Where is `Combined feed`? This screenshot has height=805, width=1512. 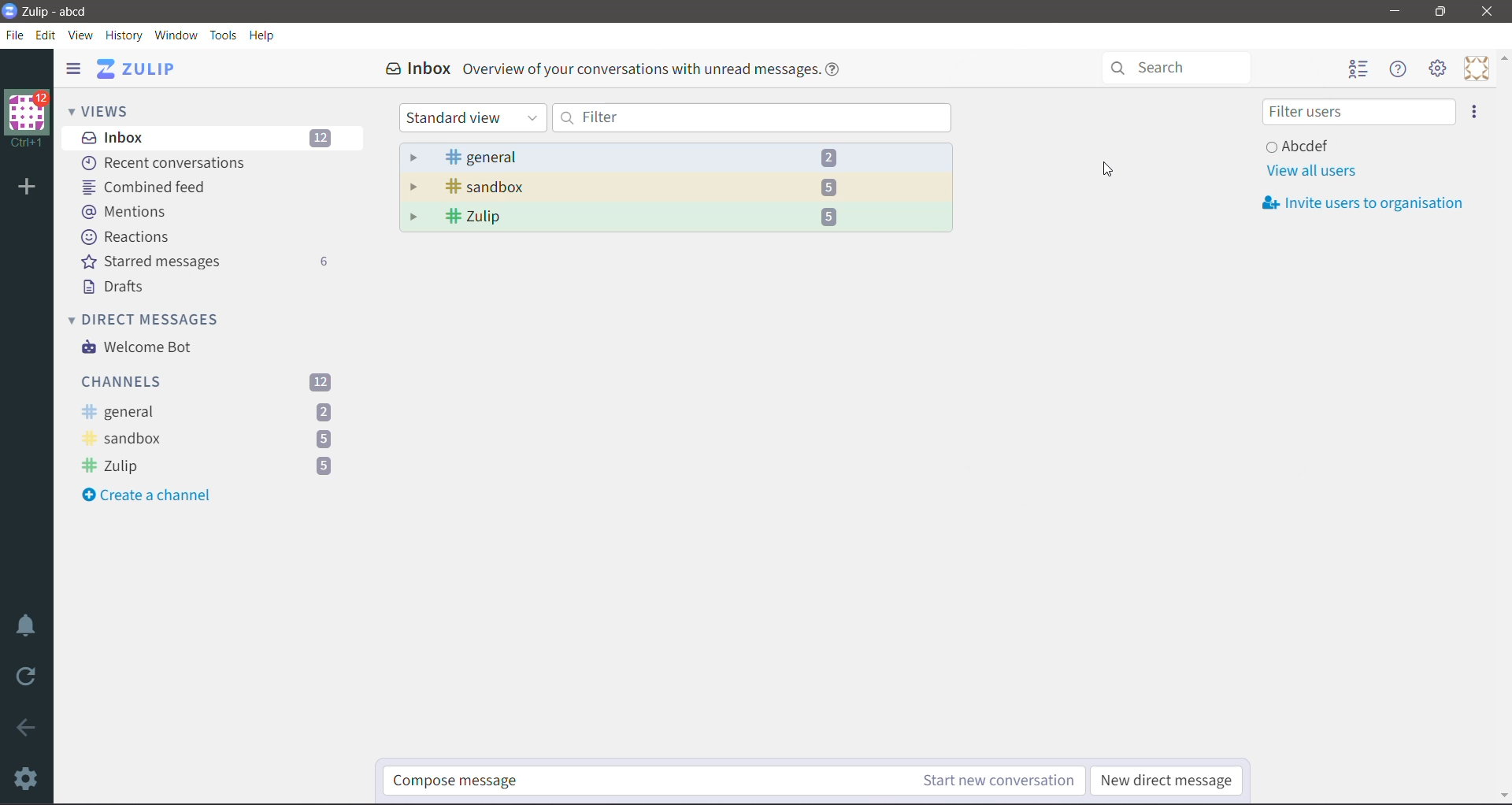 Combined feed is located at coordinates (150, 187).